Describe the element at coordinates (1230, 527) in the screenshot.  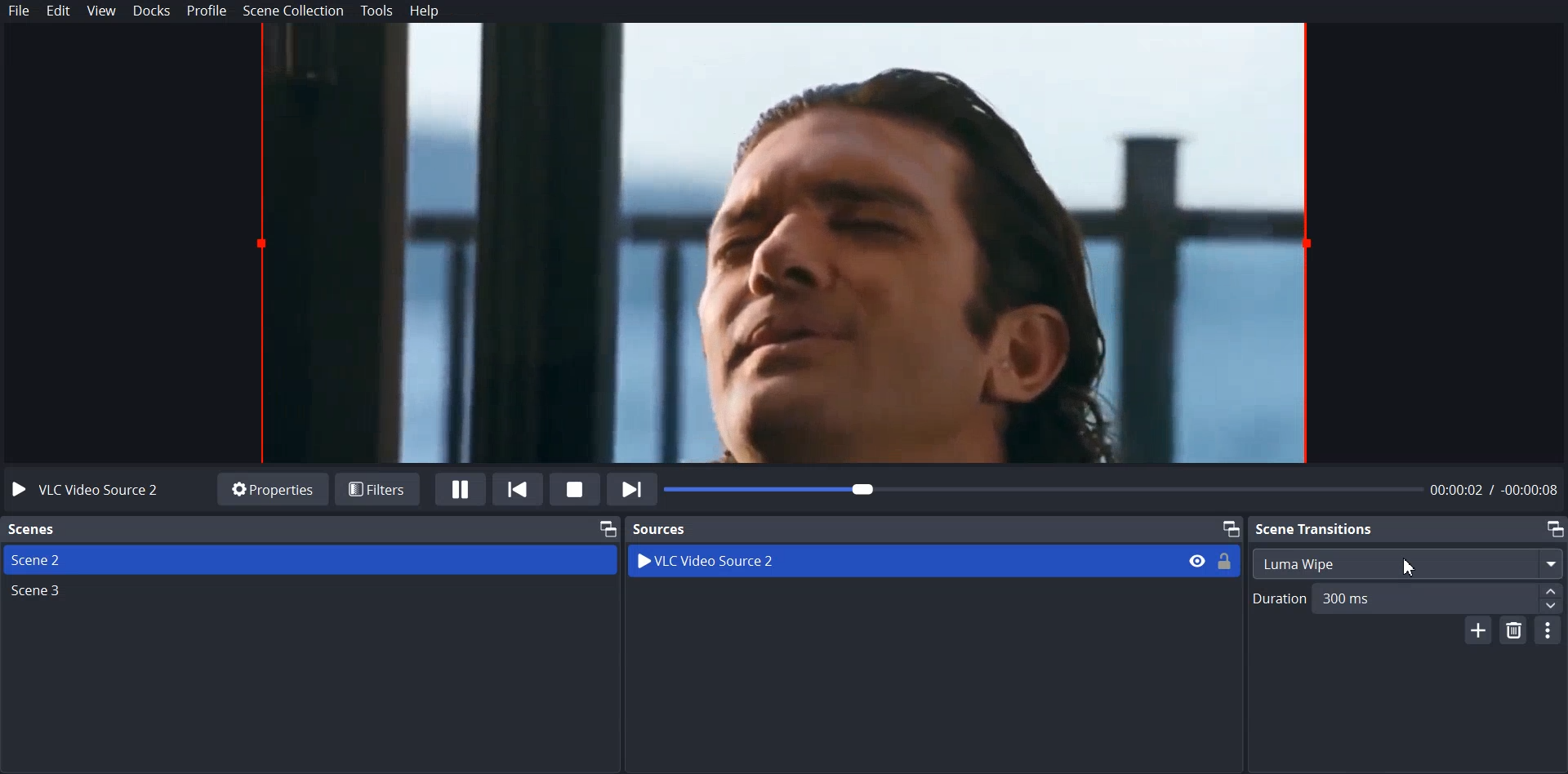
I see `Maximize window` at that location.